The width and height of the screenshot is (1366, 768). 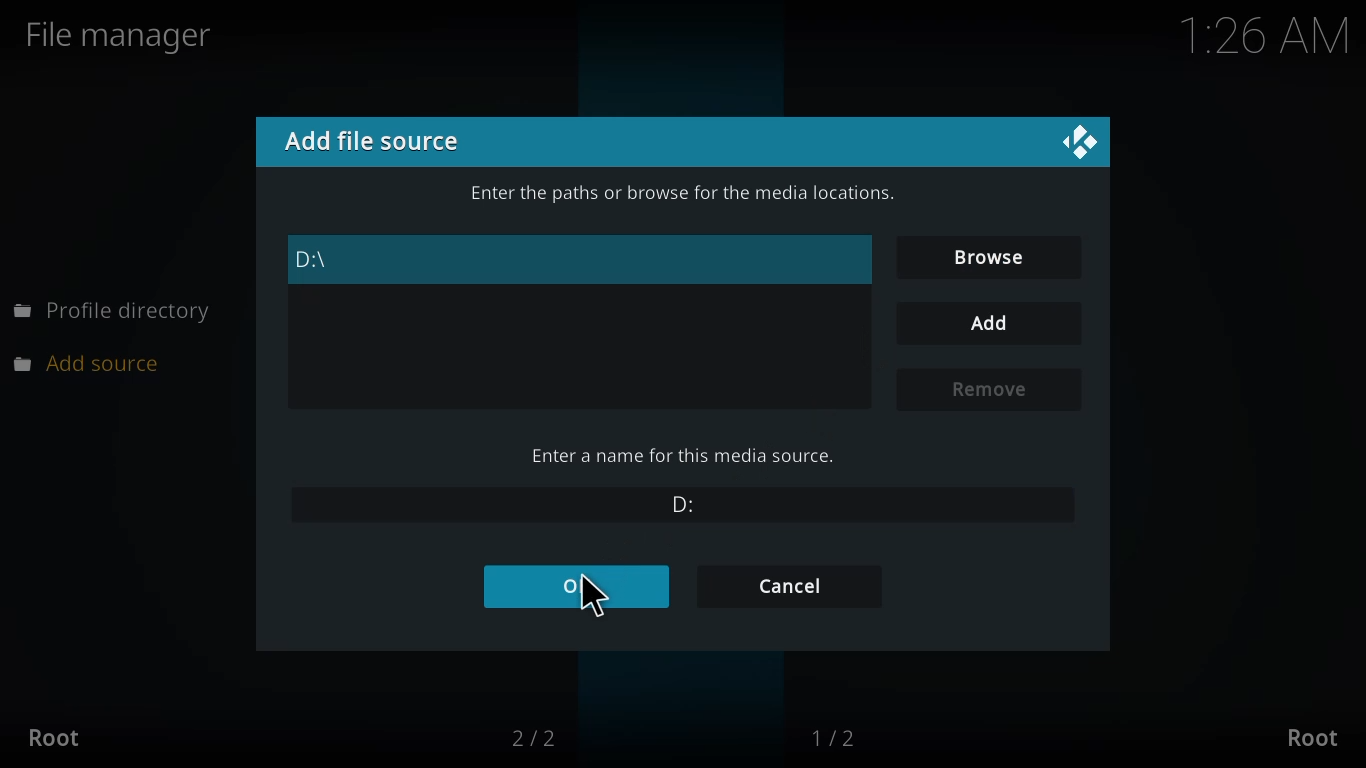 What do you see at coordinates (676, 501) in the screenshot?
I see `d` at bounding box center [676, 501].